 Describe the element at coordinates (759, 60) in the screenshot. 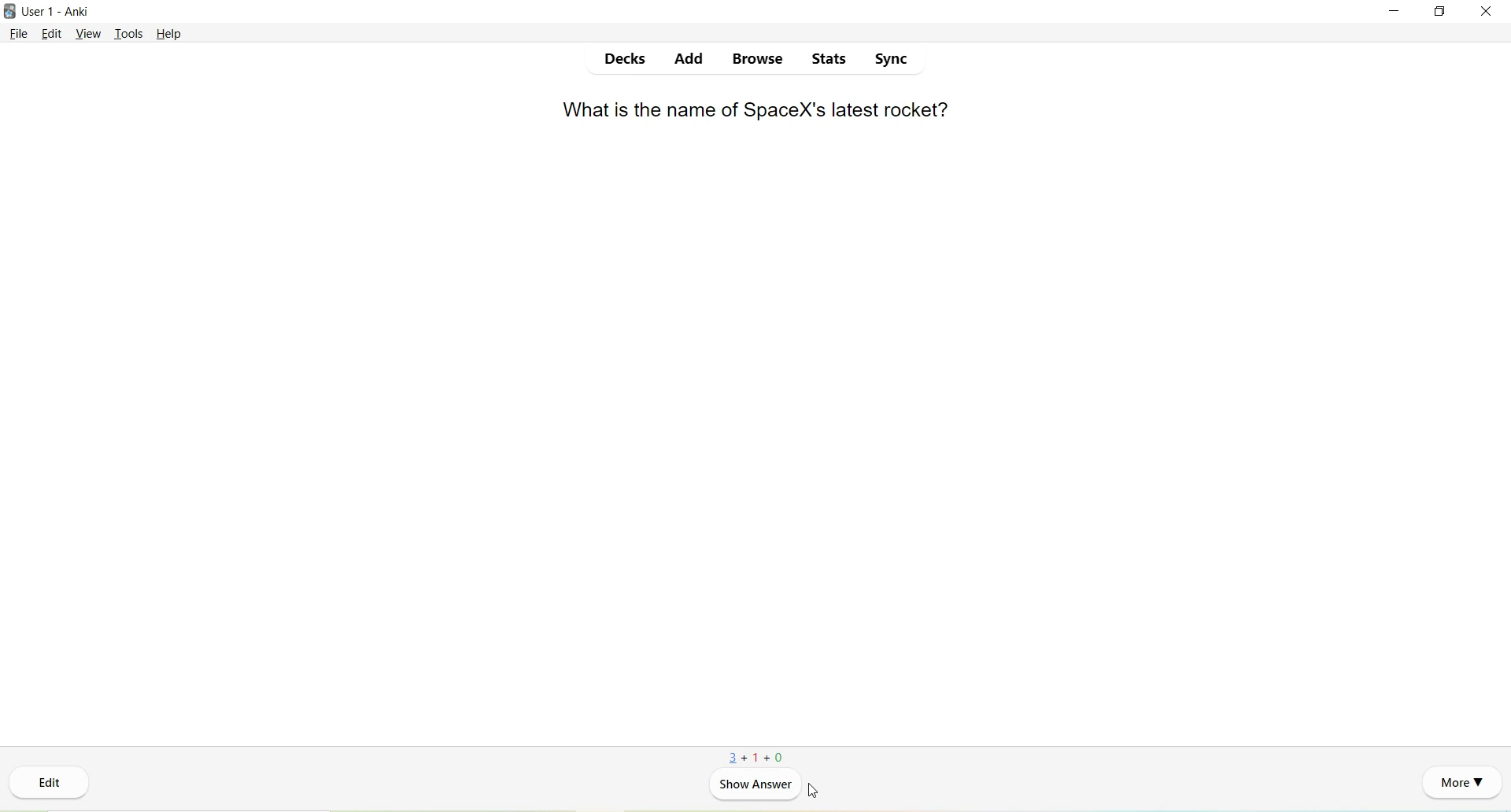

I see `Browse` at that location.